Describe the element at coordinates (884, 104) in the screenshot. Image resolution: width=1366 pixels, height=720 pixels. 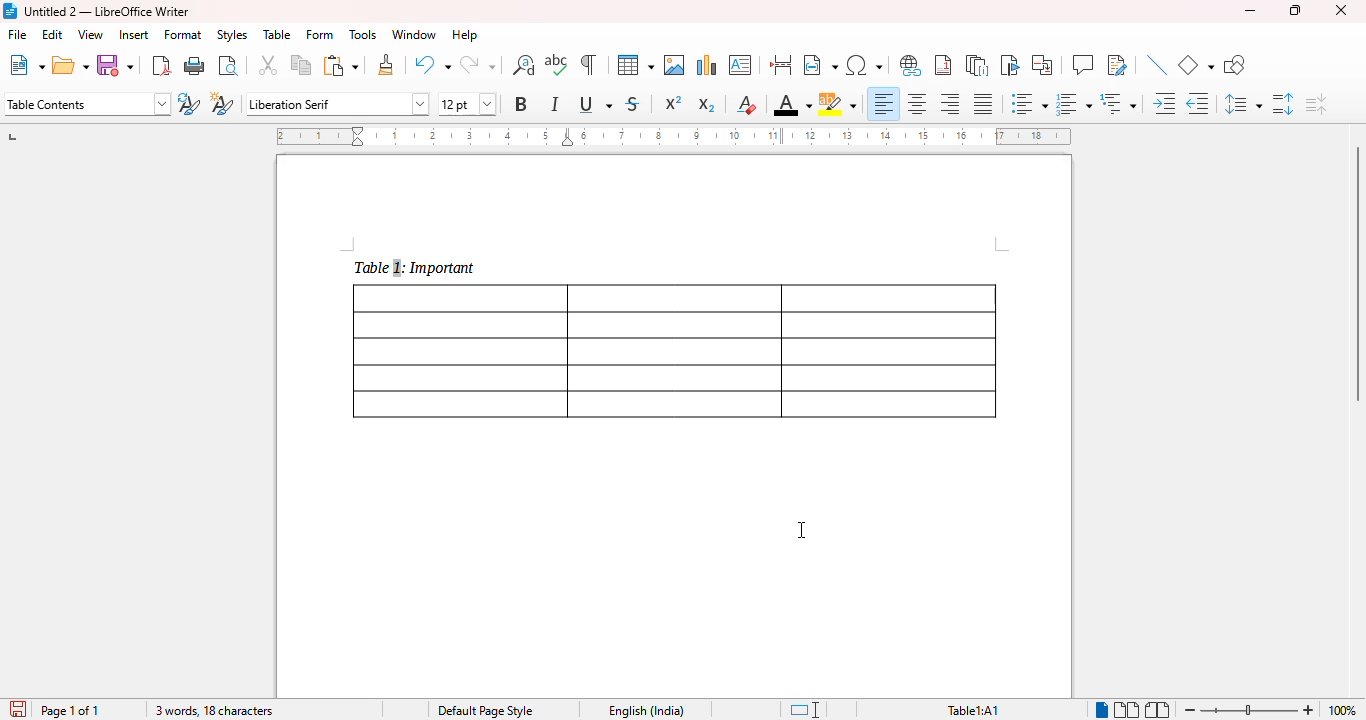
I see `align left` at that location.